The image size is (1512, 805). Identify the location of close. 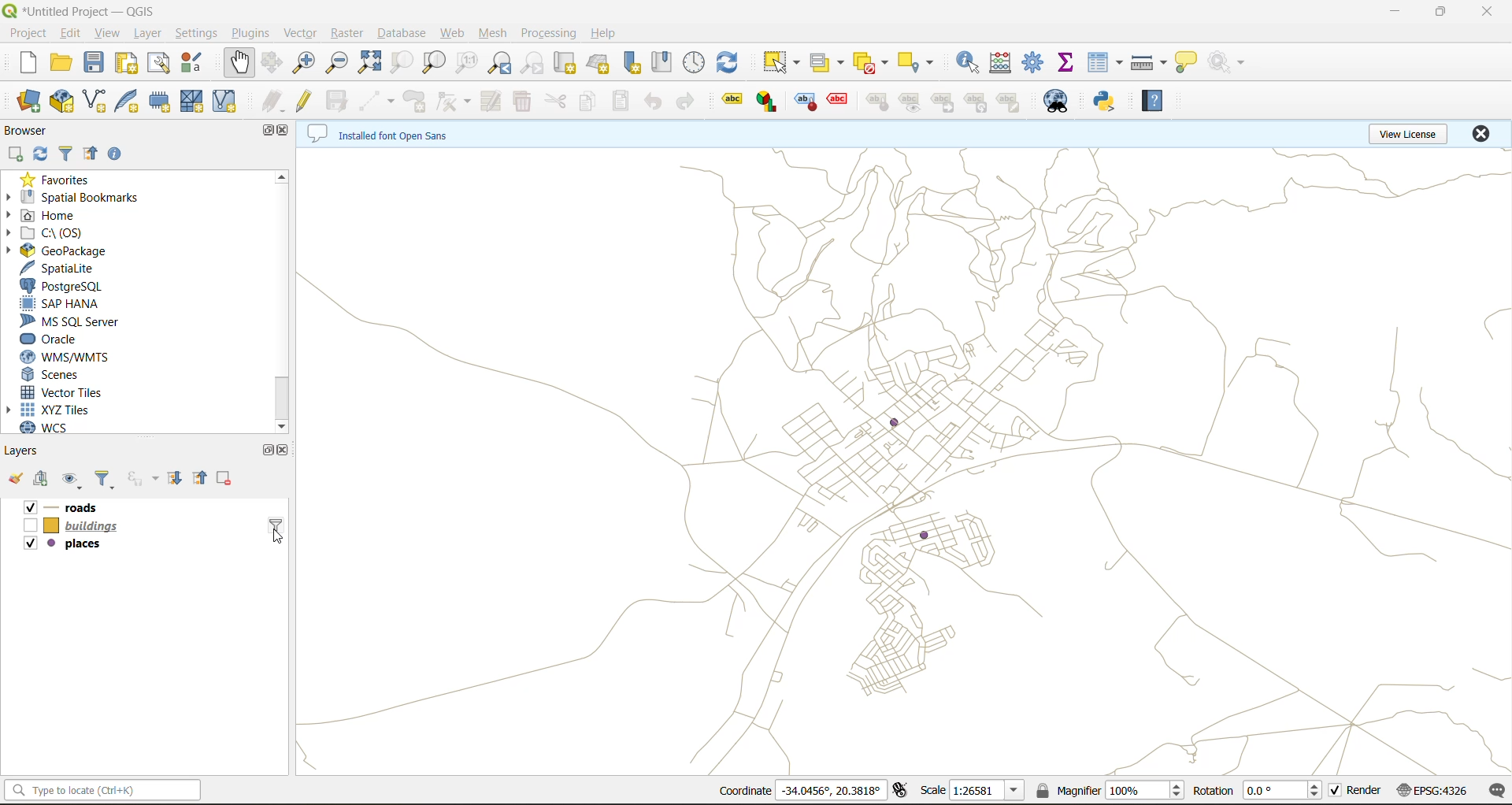
(287, 451).